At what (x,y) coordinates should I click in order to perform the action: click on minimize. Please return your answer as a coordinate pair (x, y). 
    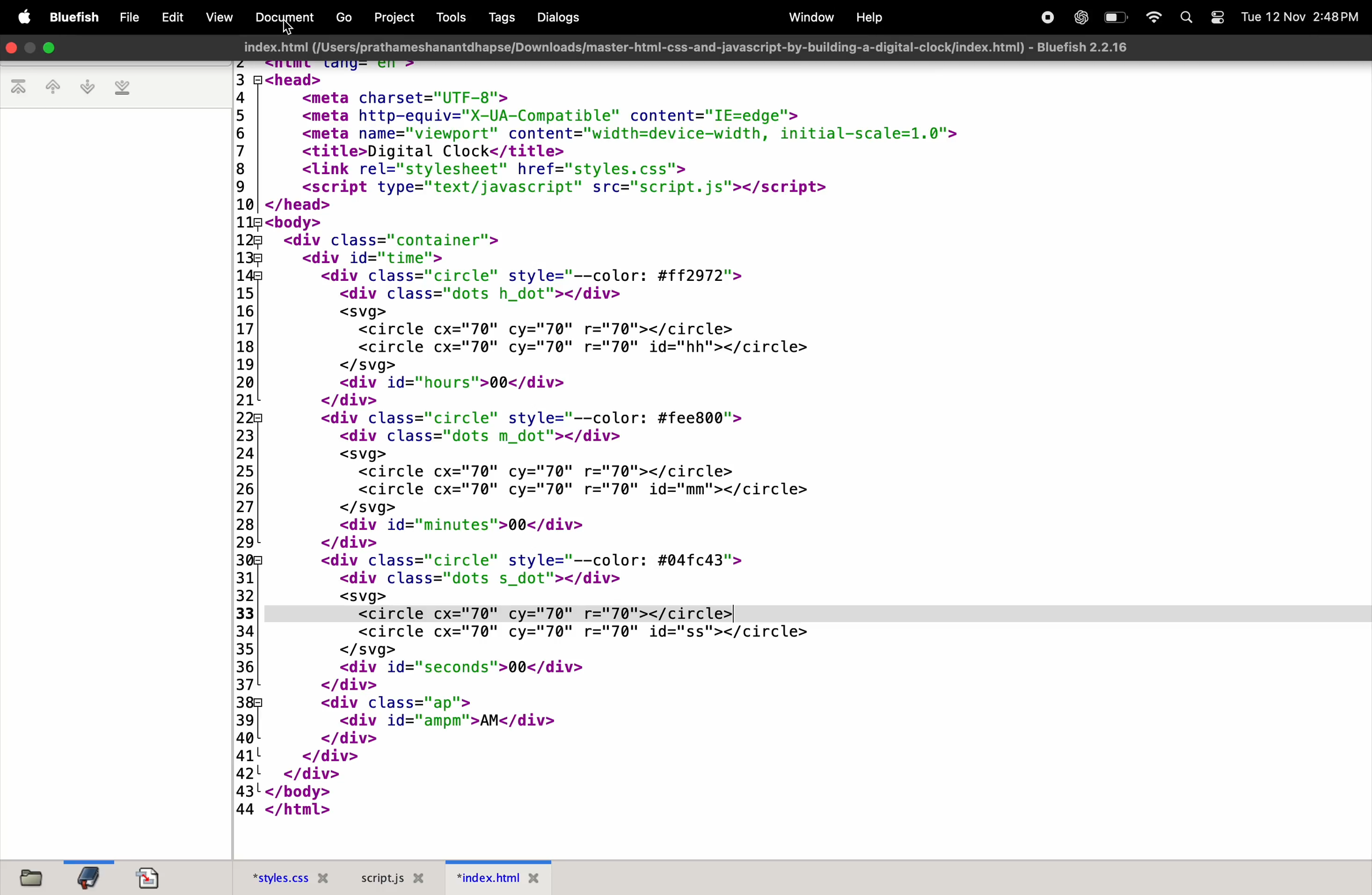
    Looking at the image, I should click on (50, 47).